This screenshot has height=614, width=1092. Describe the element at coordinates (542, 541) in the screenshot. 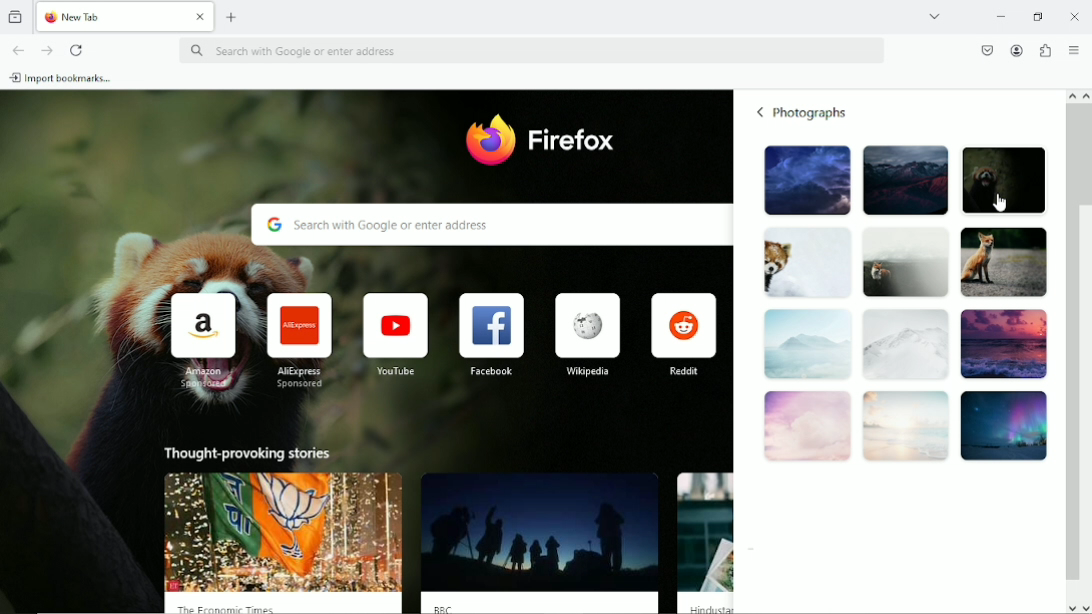

I see `Thought provoking story` at that location.